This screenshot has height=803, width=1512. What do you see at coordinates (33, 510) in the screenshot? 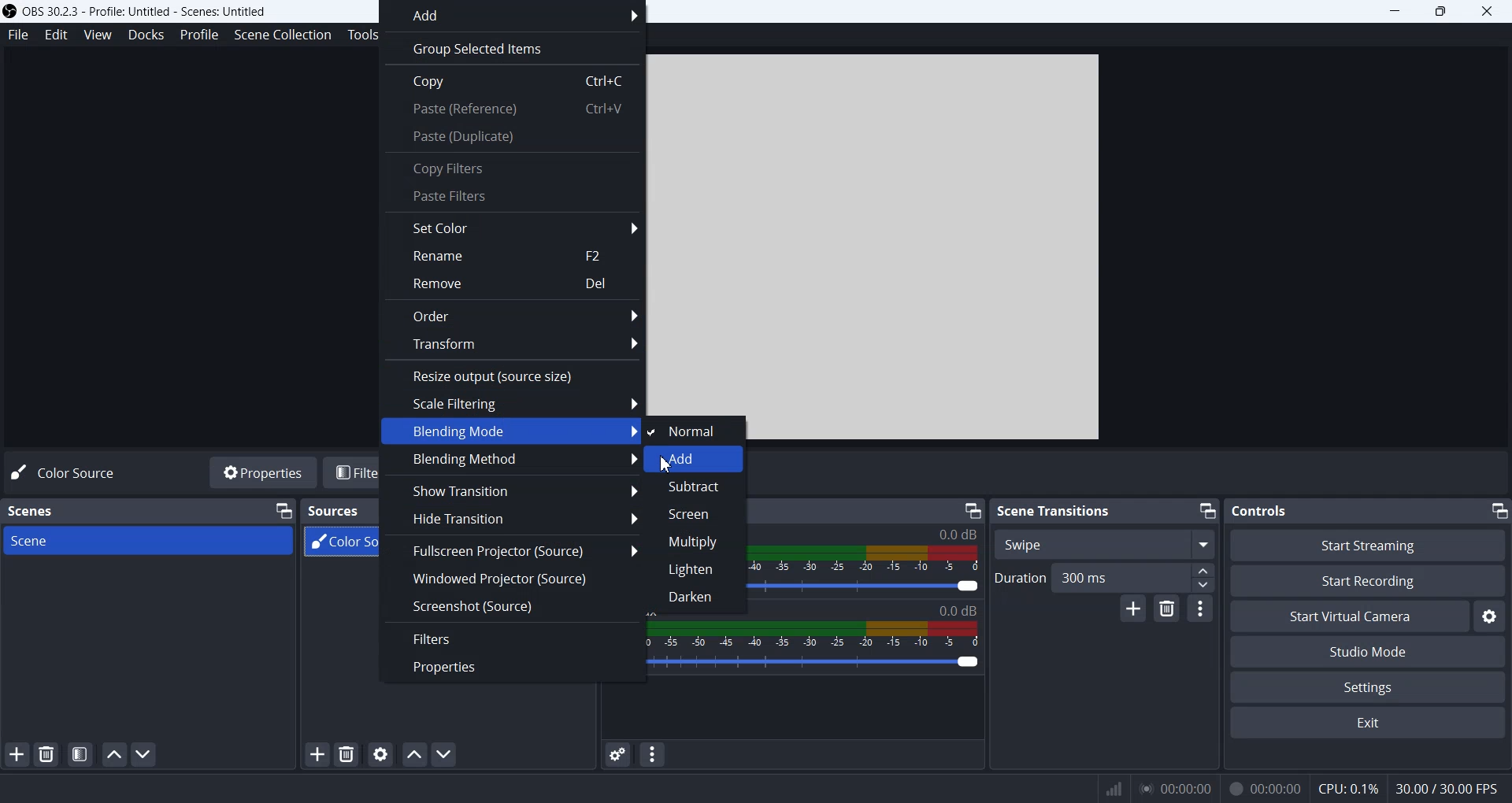
I see `Scenes` at bounding box center [33, 510].